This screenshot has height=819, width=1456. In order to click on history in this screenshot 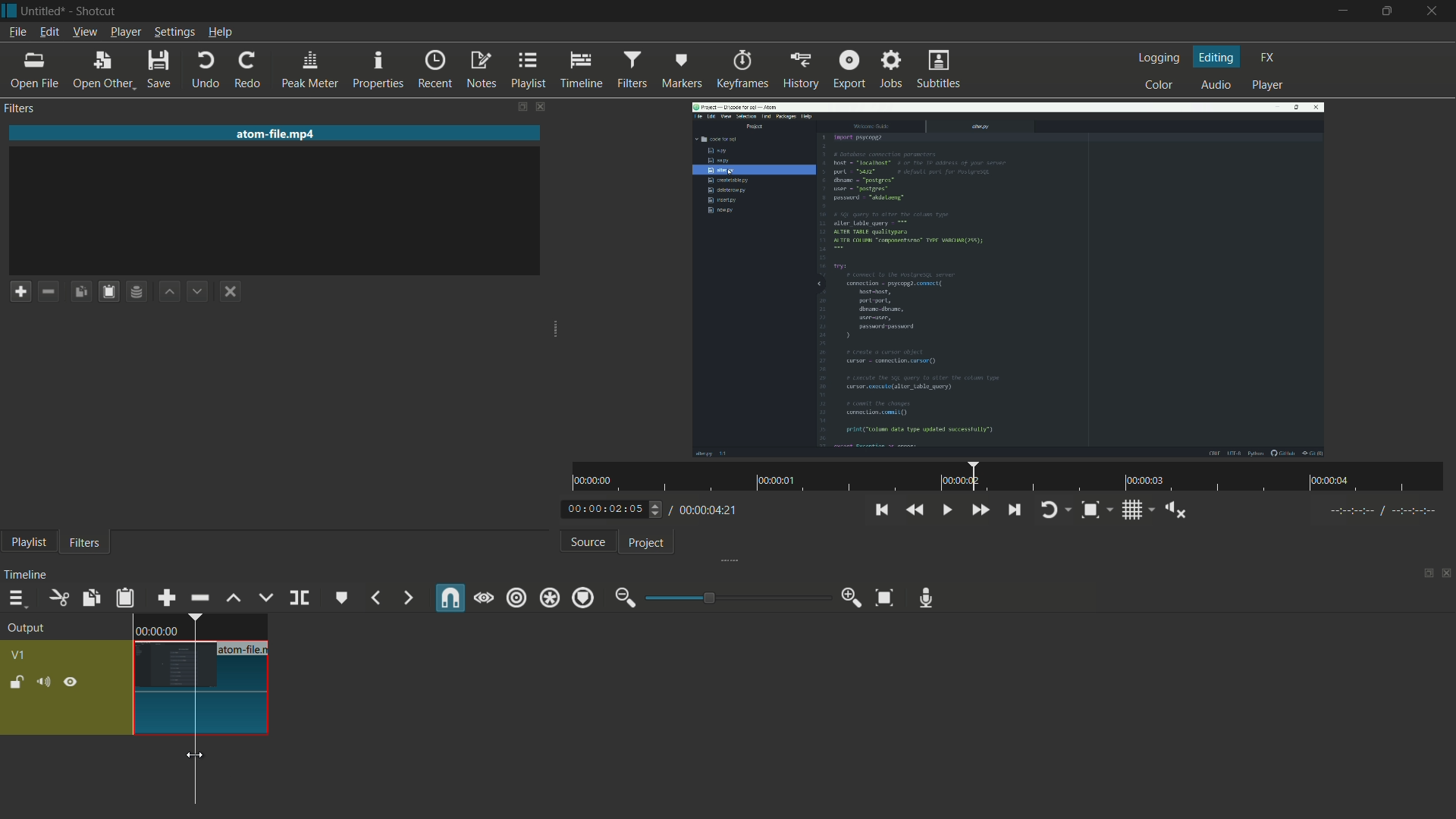, I will do `click(802, 71)`.